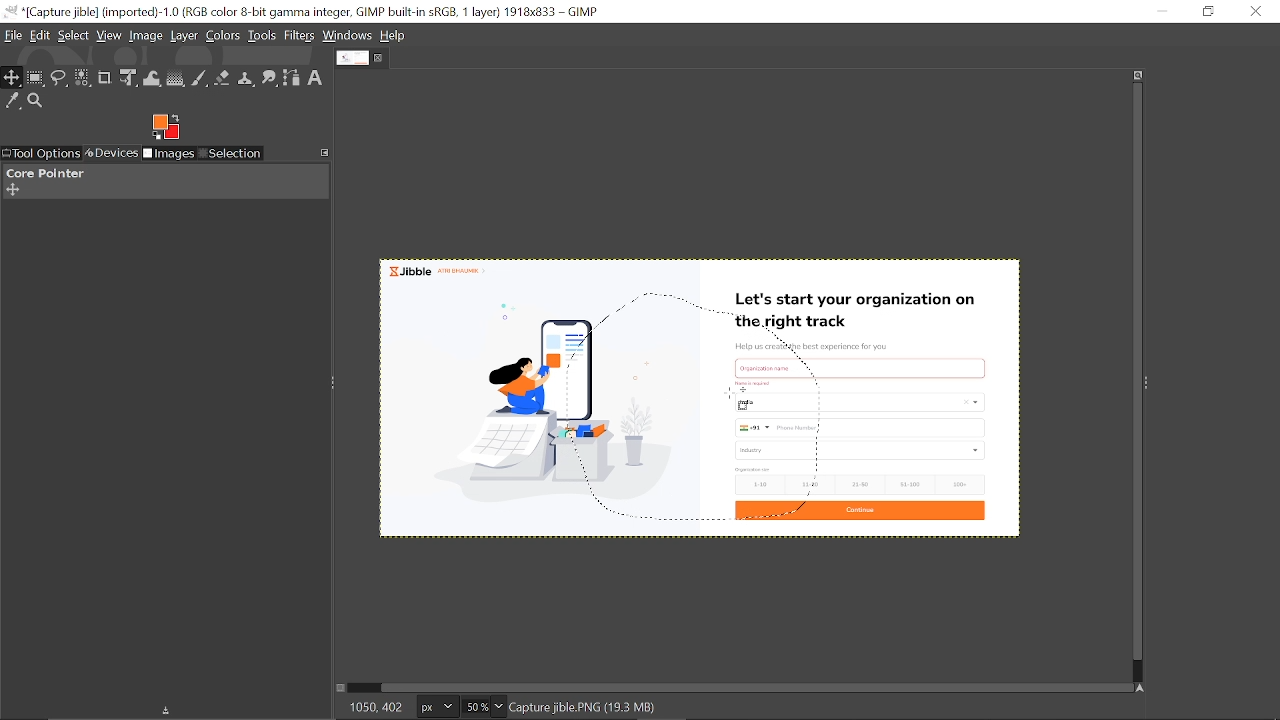 Image resolution: width=1280 pixels, height=720 pixels. I want to click on 11-20, so click(814, 483).